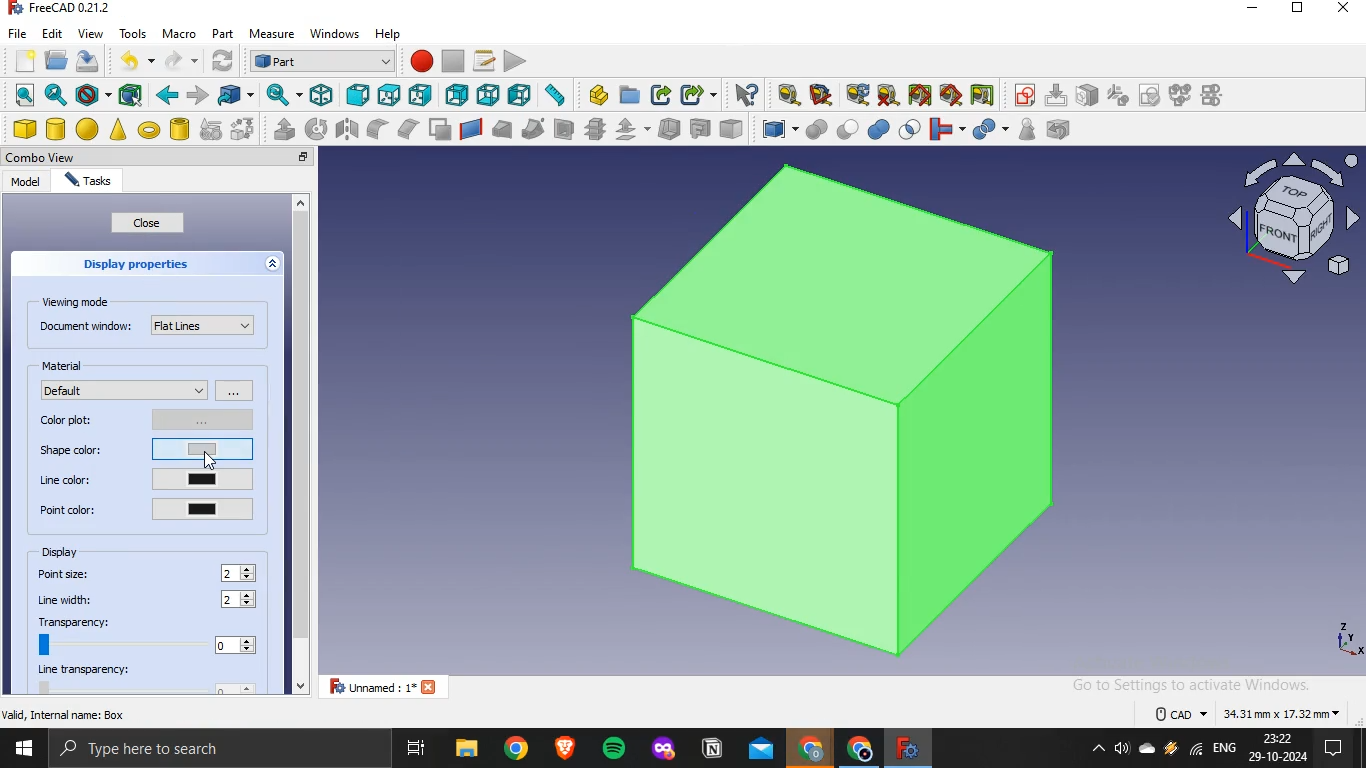  What do you see at coordinates (150, 679) in the screenshot?
I see `line transparency` at bounding box center [150, 679].